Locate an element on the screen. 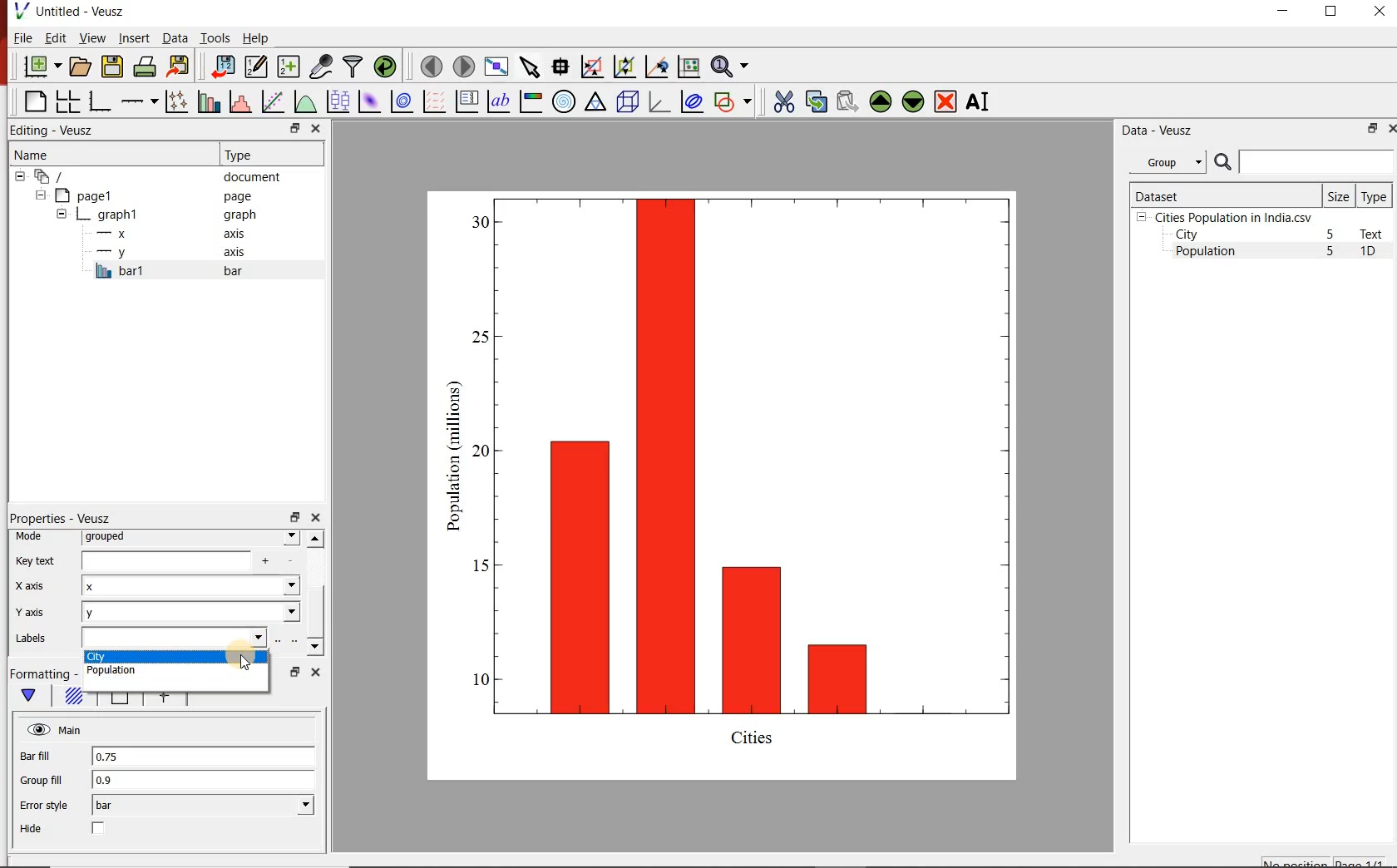 This screenshot has height=868, width=1397. filter data is located at coordinates (353, 67).